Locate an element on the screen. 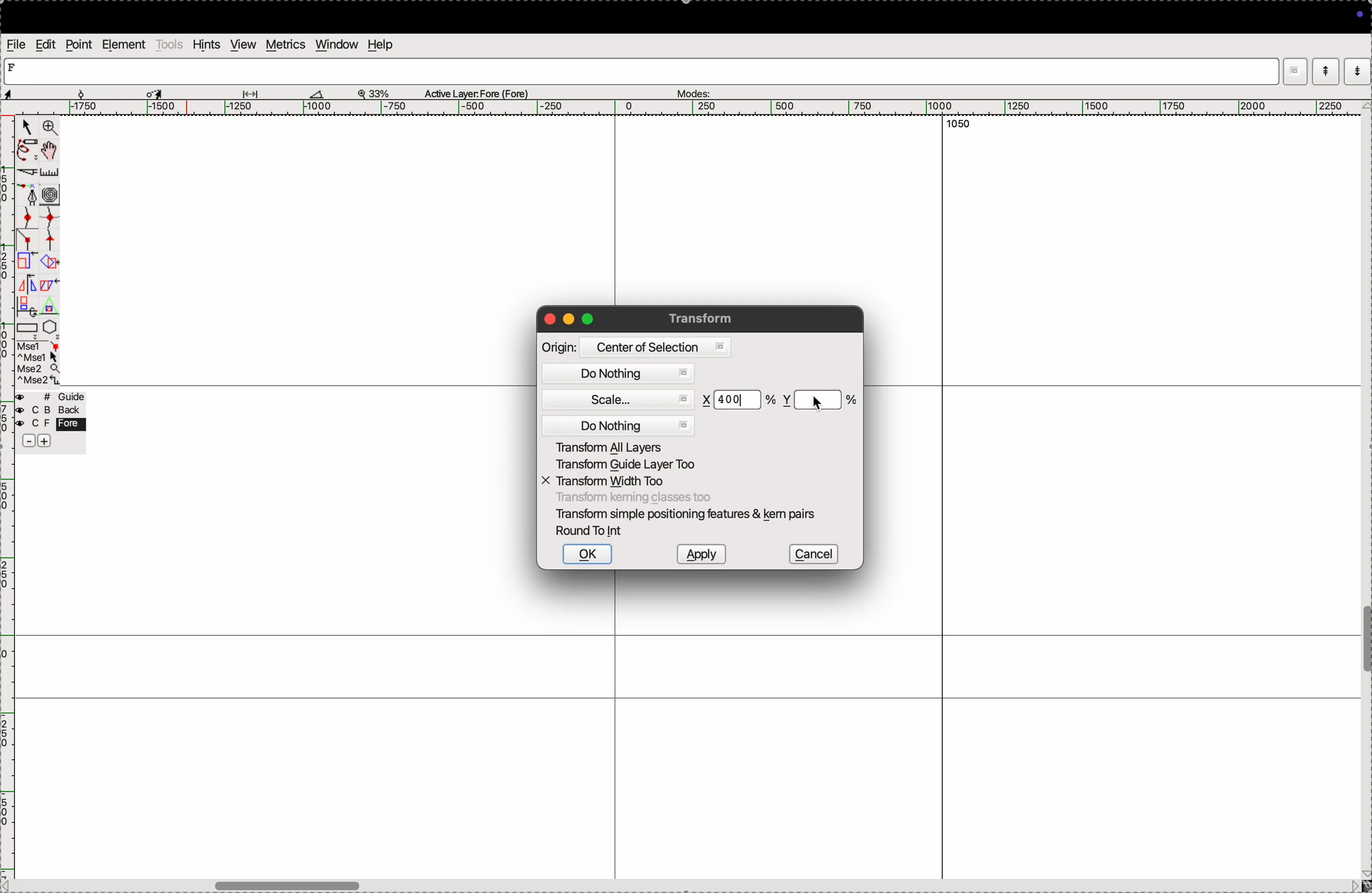 The height and width of the screenshot is (893, 1372). pentagon is located at coordinates (50, 327).